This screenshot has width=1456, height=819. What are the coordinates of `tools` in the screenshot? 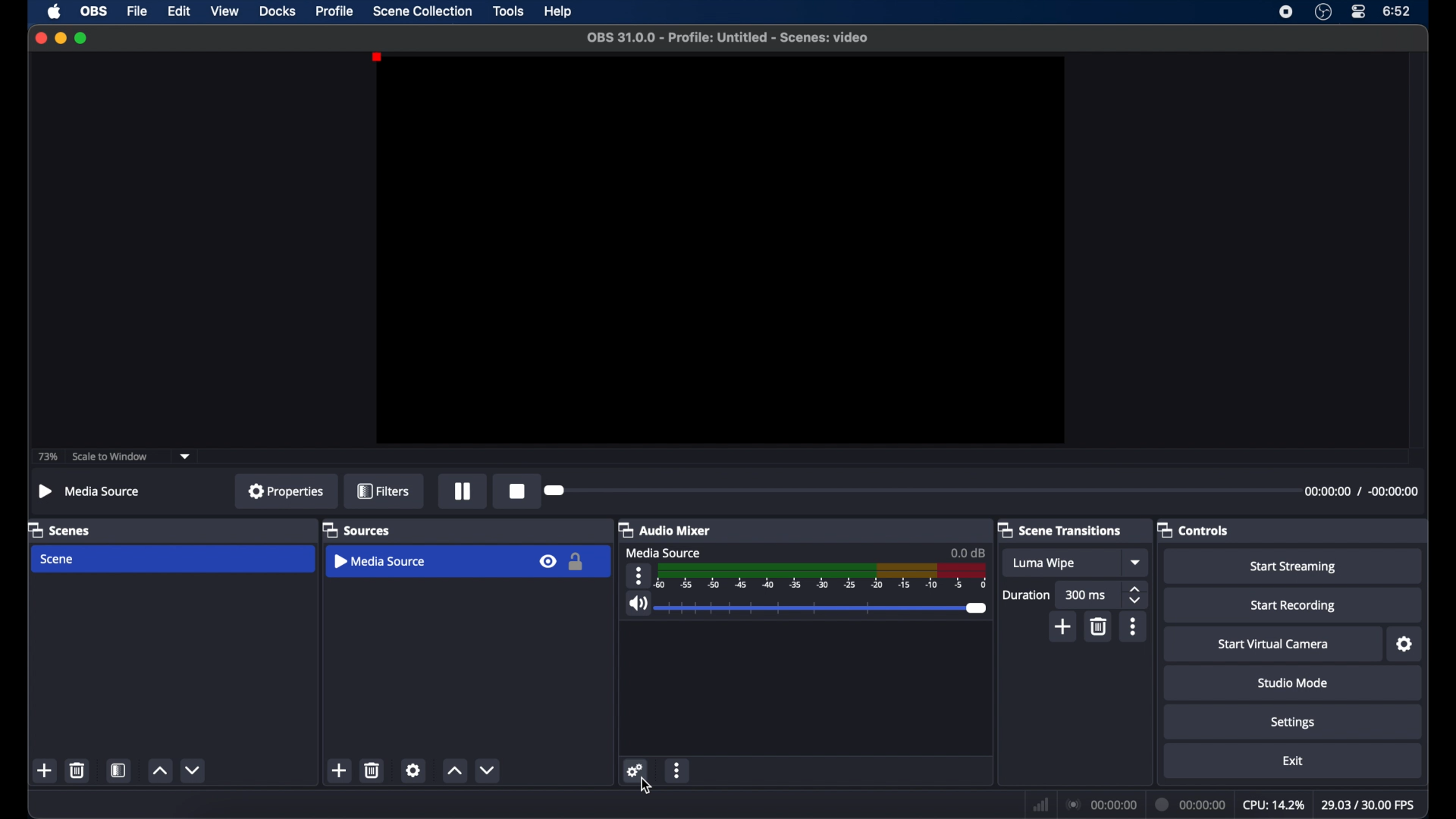 It's located at (509, 11).